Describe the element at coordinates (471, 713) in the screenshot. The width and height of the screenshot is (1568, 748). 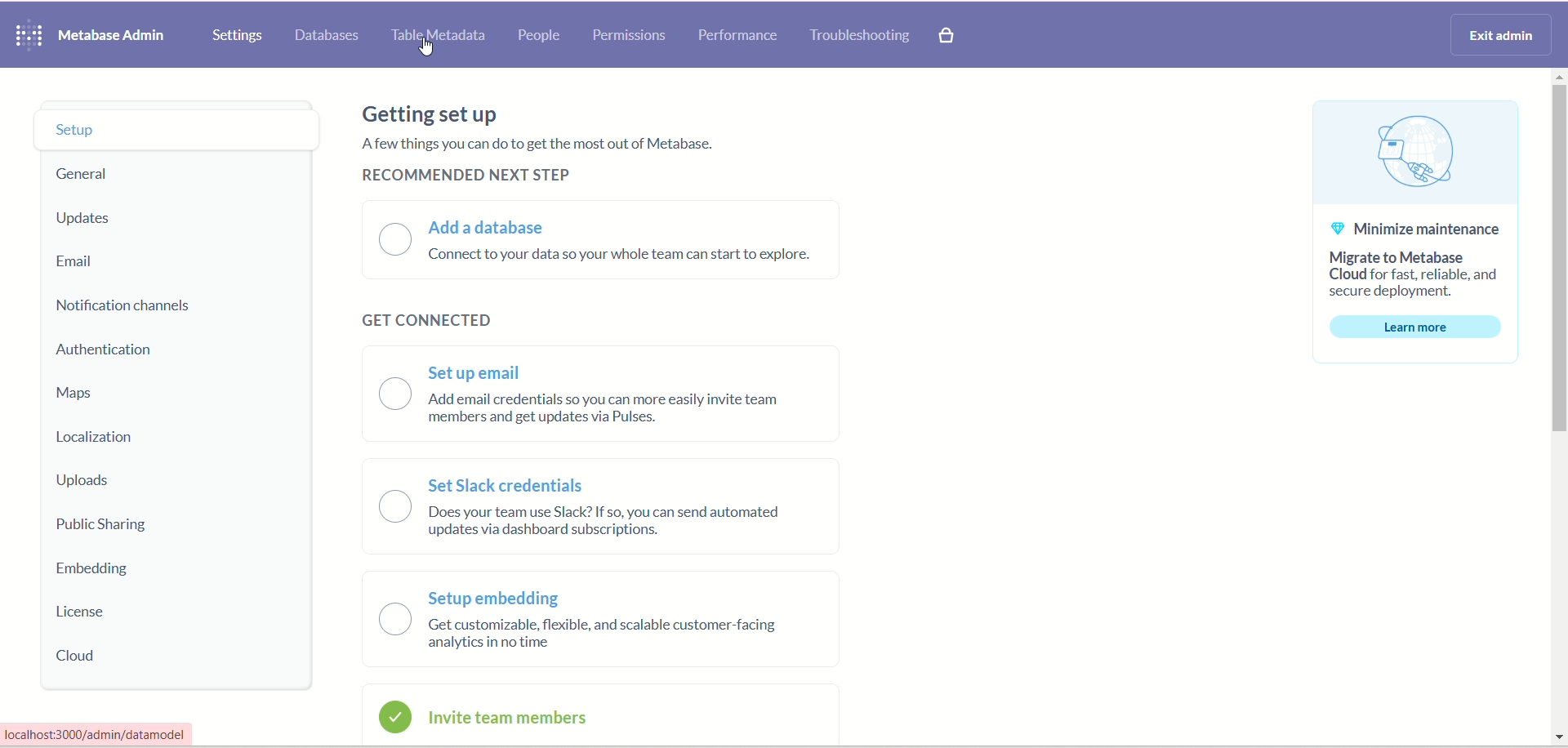
I see `invite team members ` at that location.